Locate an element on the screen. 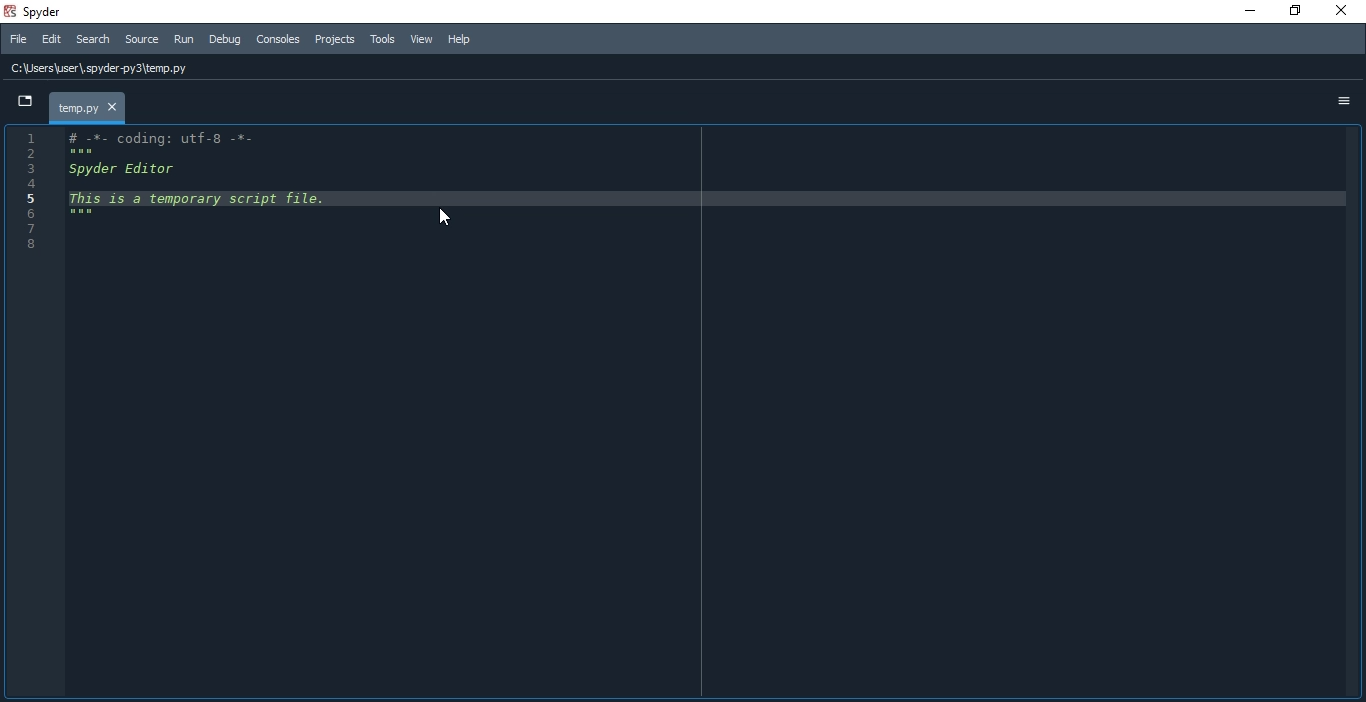 Image resolution: width=1366 pixels, height=702 pixels. Edit is located at coordinates (50, 41).